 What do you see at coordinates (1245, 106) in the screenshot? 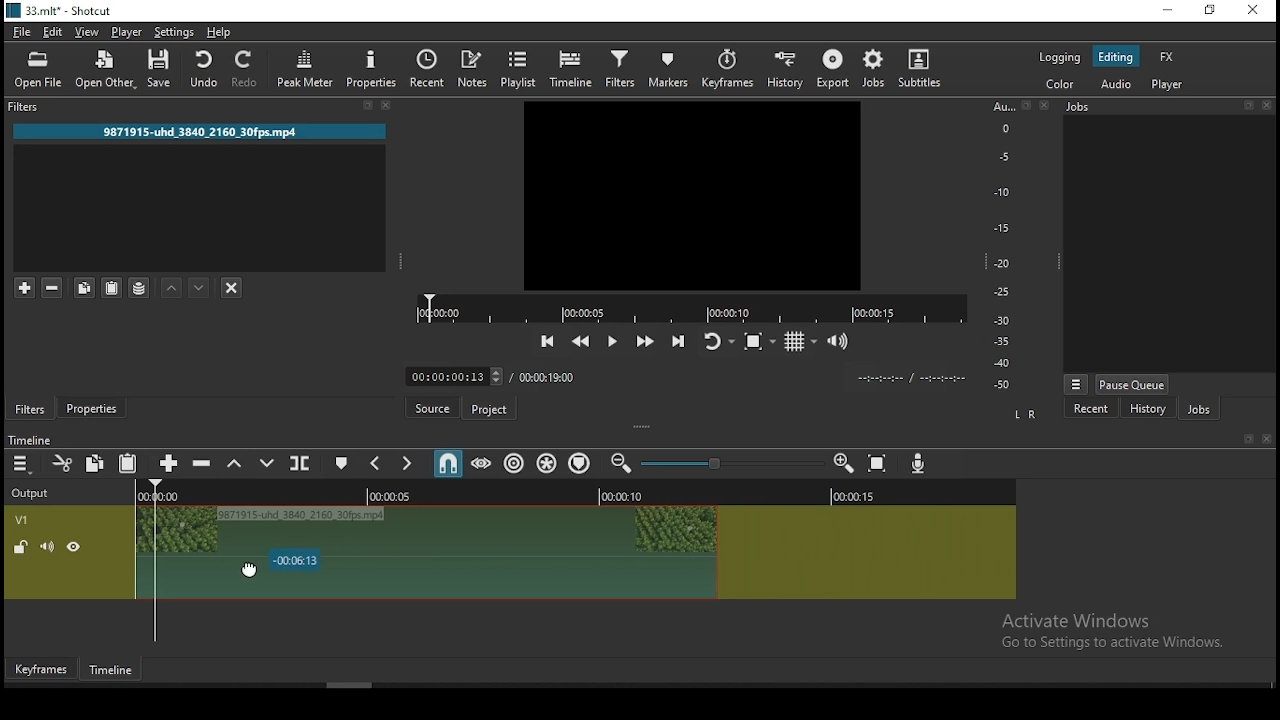
I see `bookmark` at bounding box center [1245, 106].